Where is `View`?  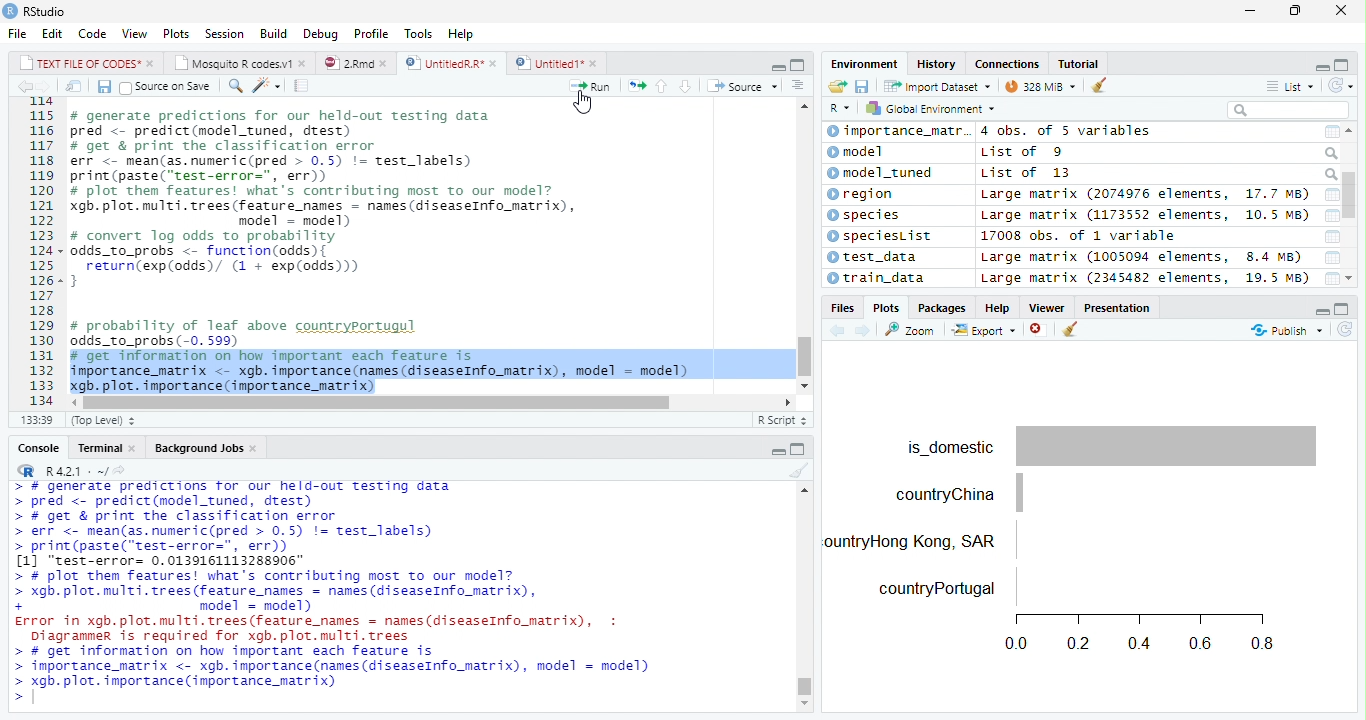
View is located at coordinates (134, 34).